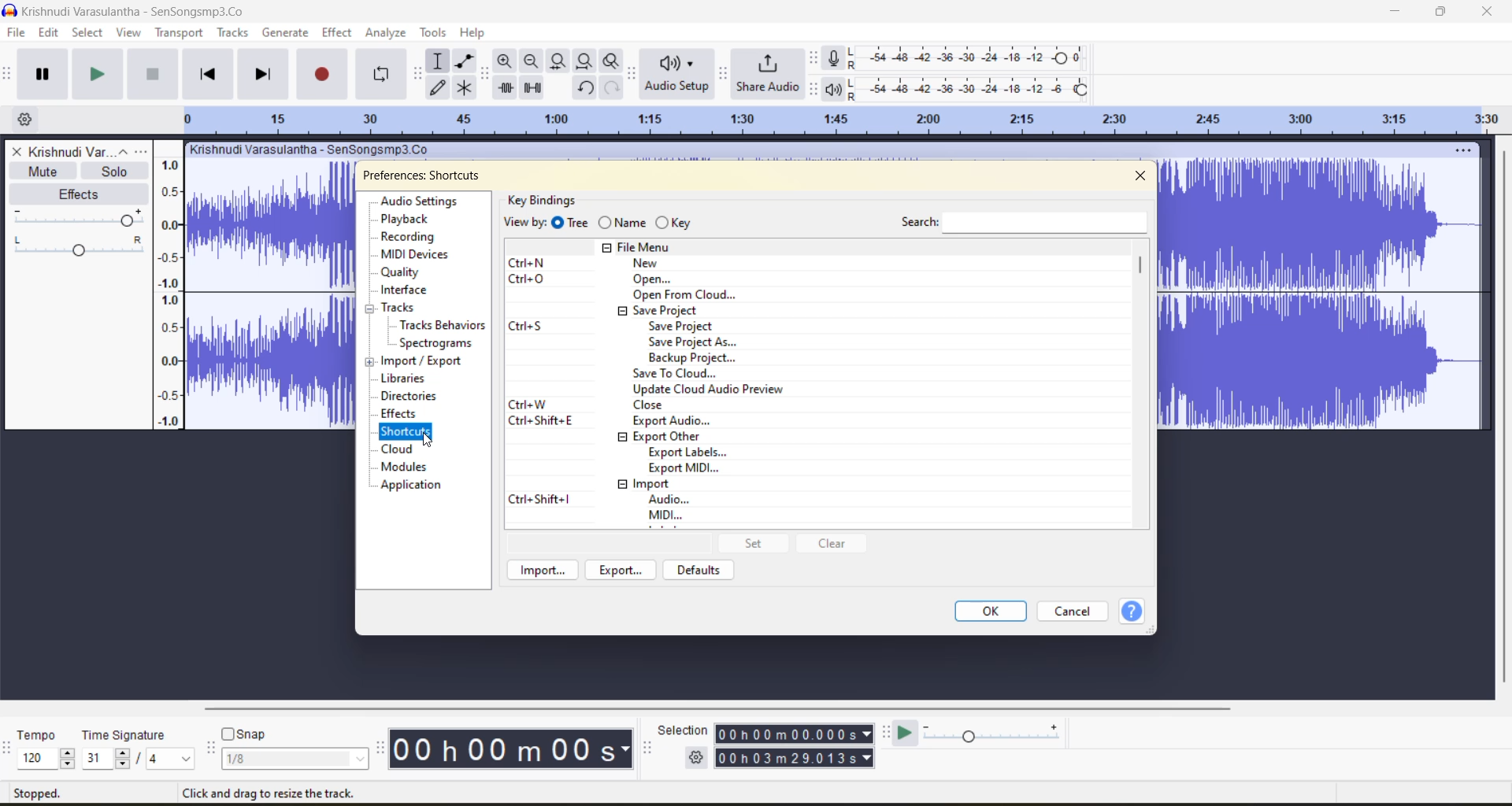 The image size is (1512, 806). Describe the element at coordinates (388, 34) in the screenshot. I see `analyze` at that location.